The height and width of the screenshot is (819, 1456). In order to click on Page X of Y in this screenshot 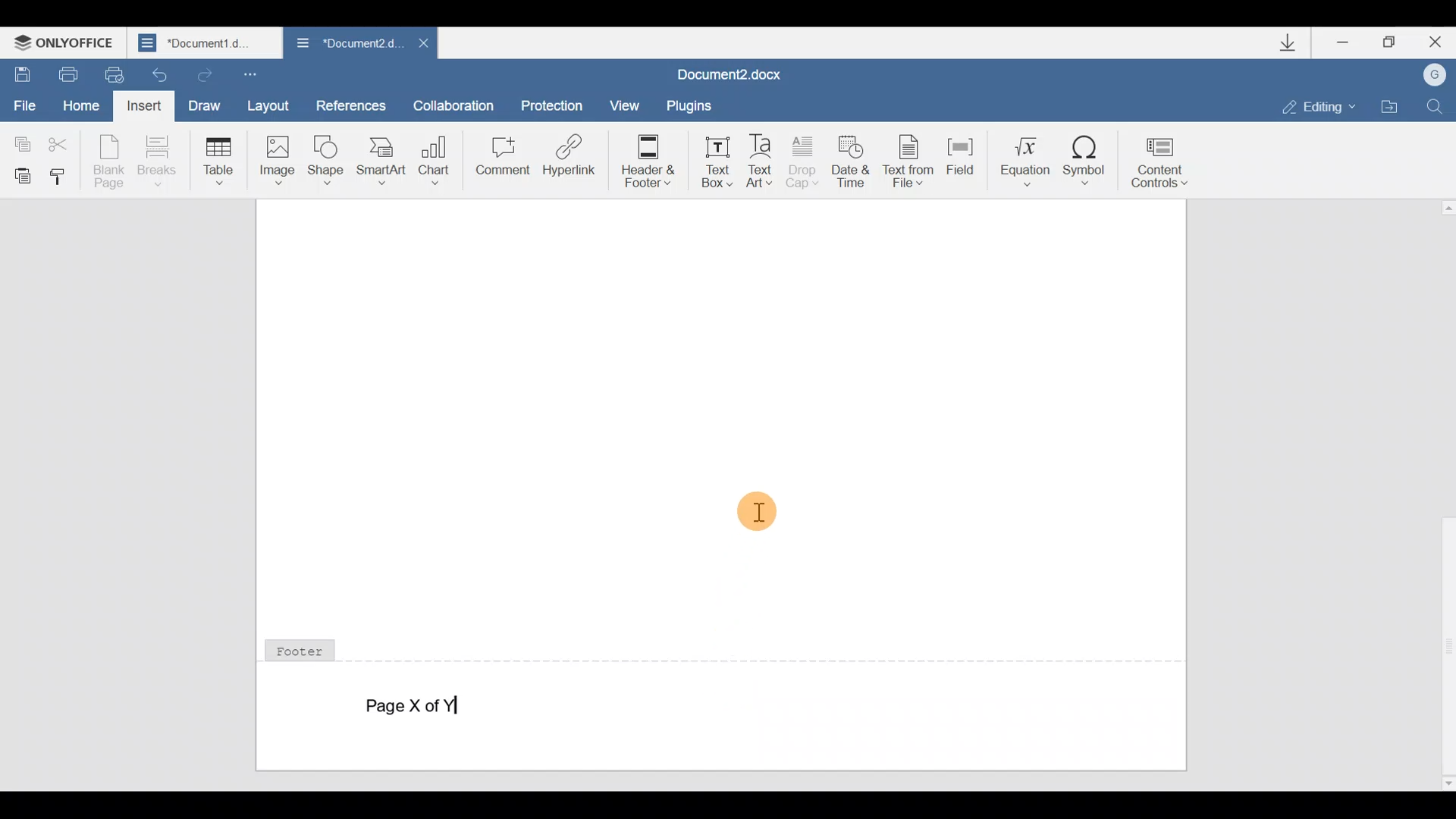, I will do `click(424, 705)`.